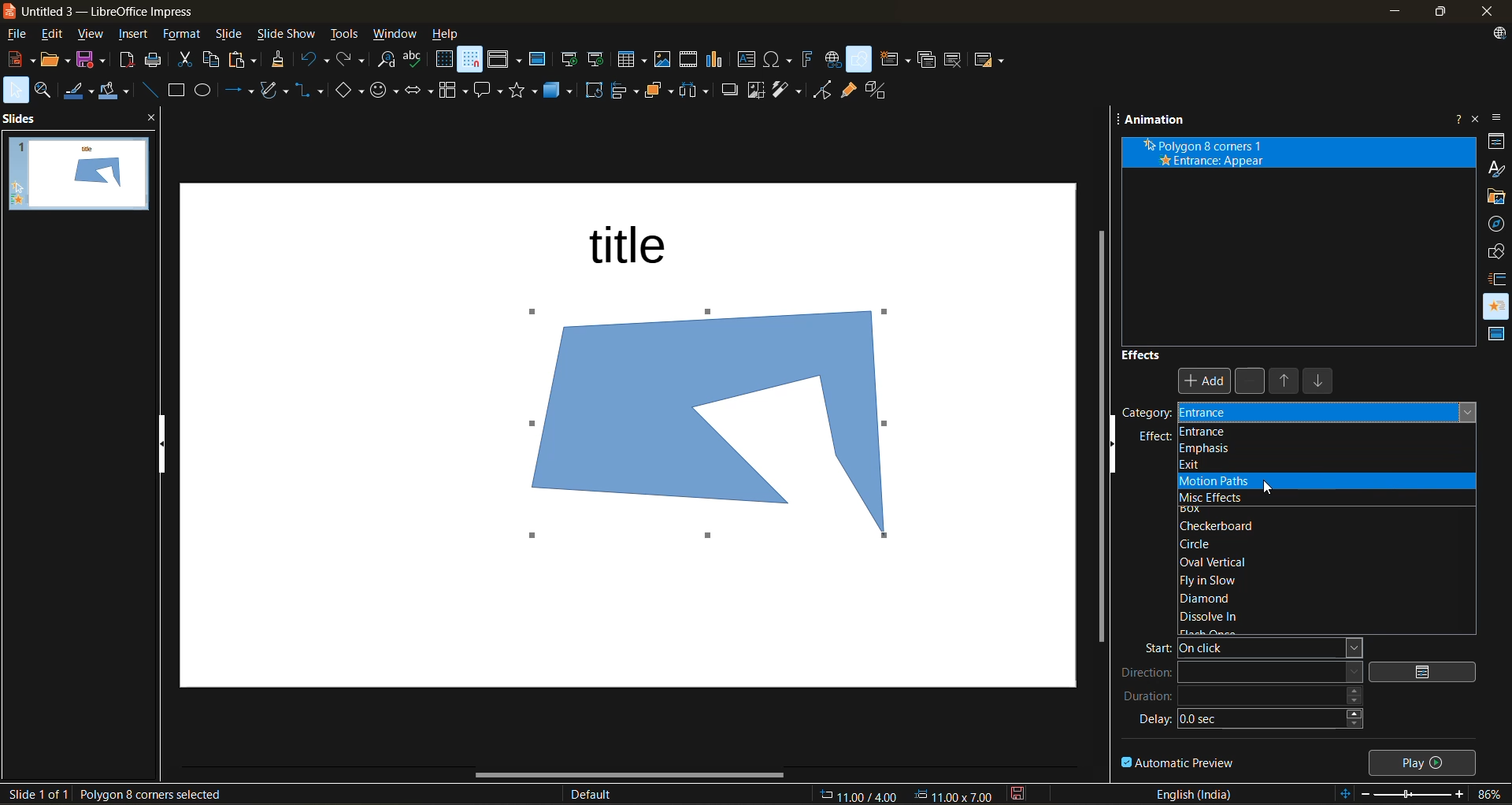 The height and width of the screenshot is (805, 1512). What do you see at coordinates (1218, 579) in the screenshot?
I see `fly in slow` at bounding box center [1218, 579].